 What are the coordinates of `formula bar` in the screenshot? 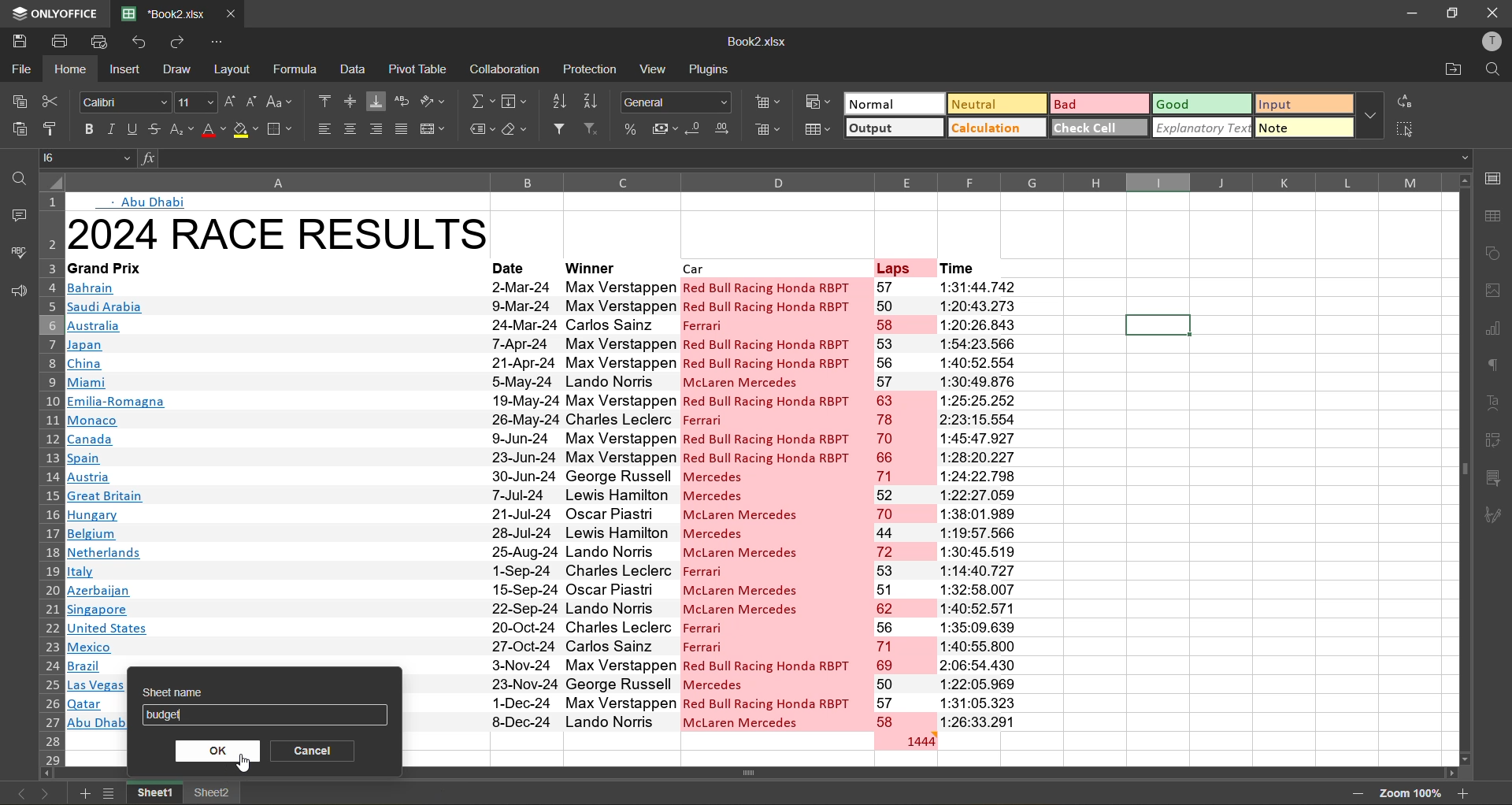 It's located at (797, 158).